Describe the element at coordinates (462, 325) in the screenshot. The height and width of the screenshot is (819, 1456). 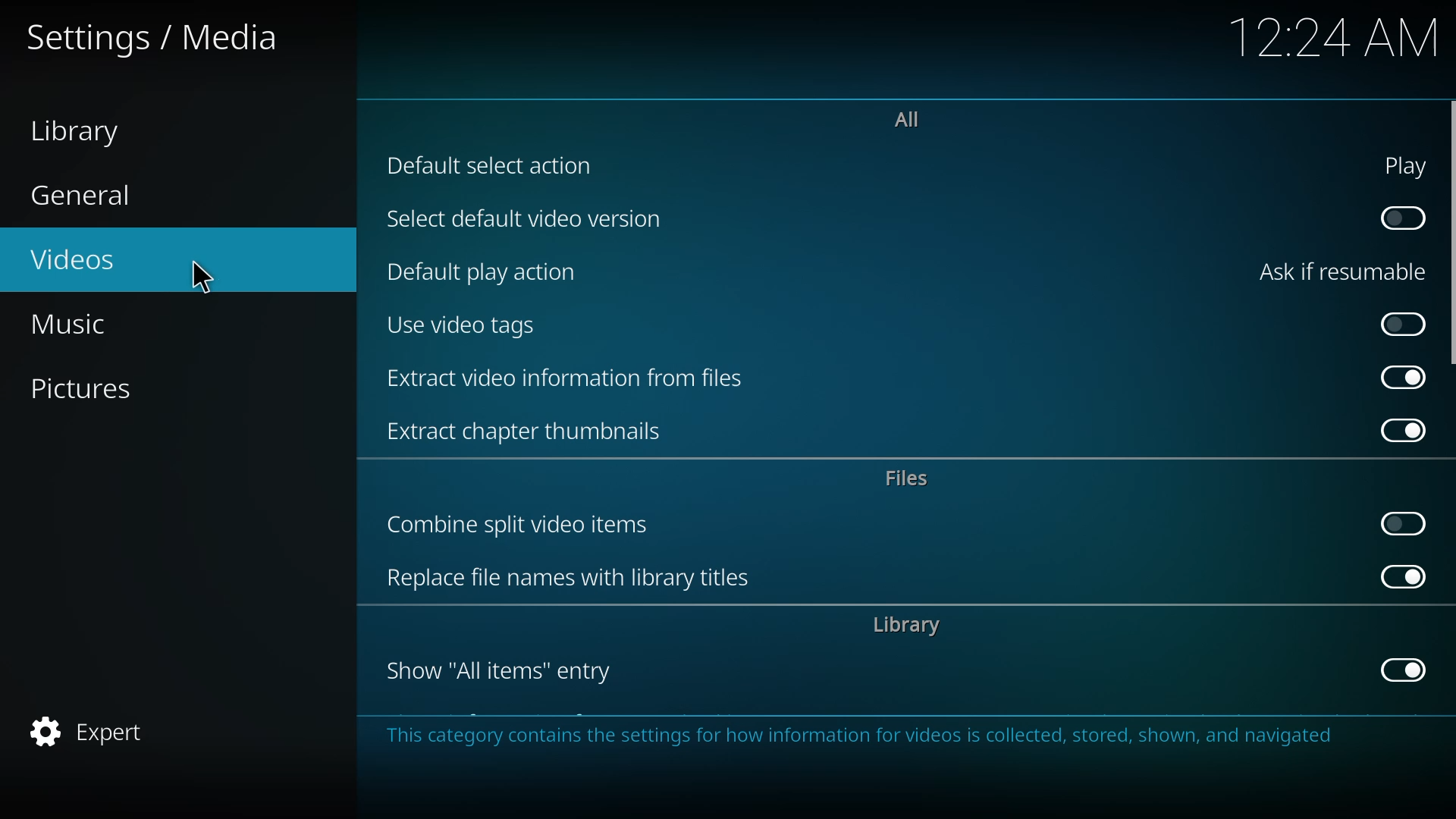
I see `use video tags` at that location.